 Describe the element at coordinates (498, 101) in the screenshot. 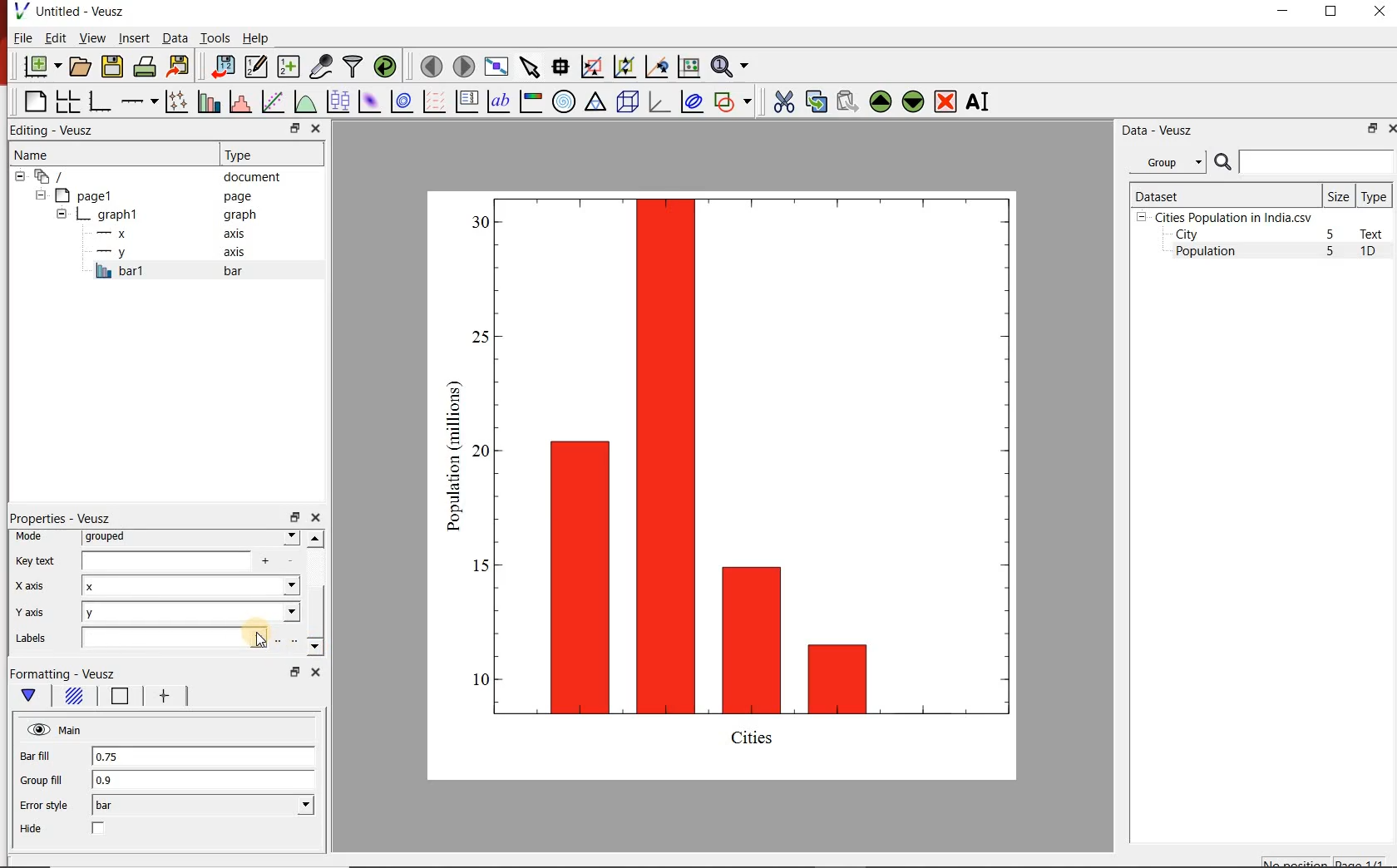

I see `text label` at that location.